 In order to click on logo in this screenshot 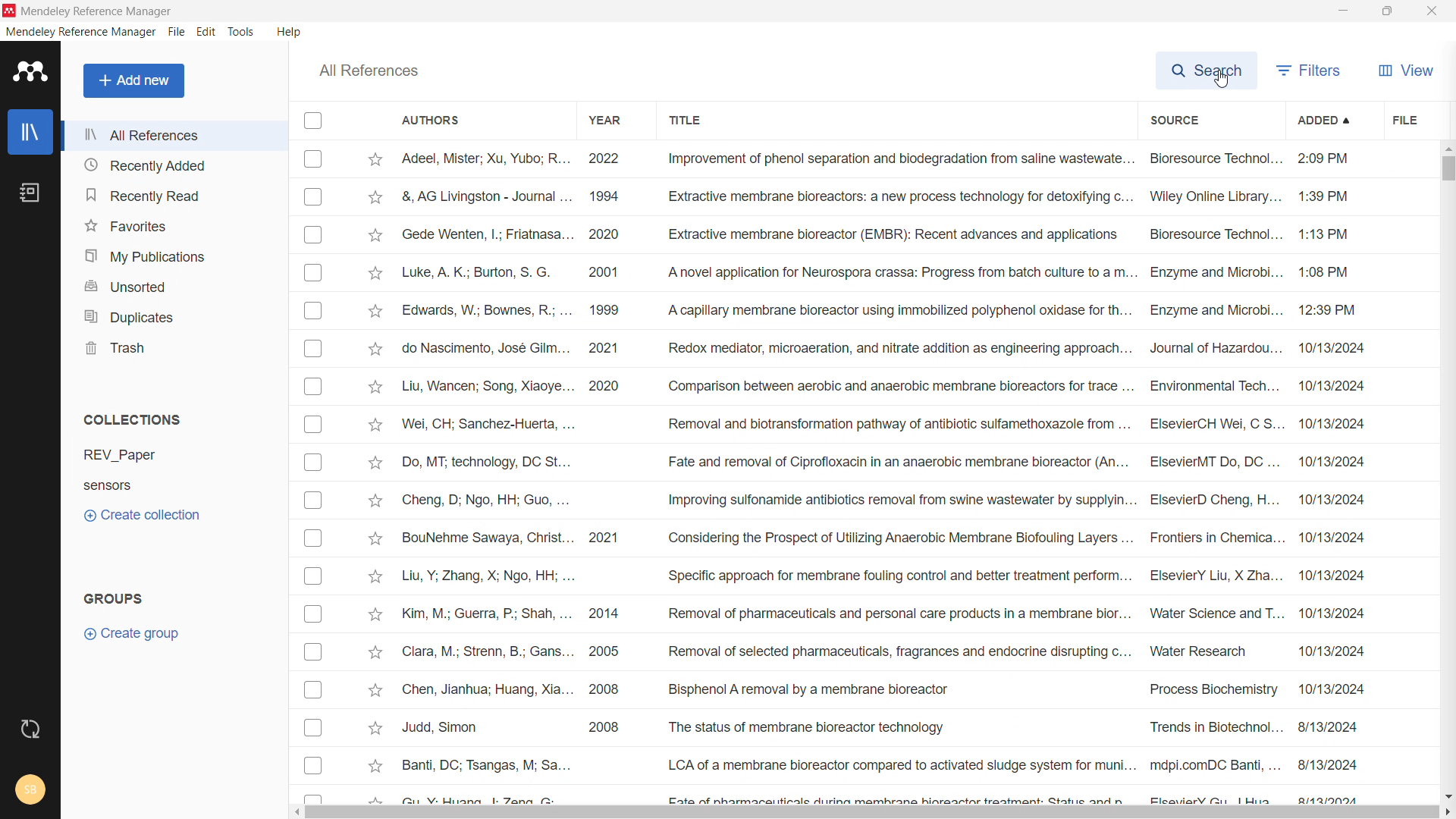, I will do `click(10, 11)`.